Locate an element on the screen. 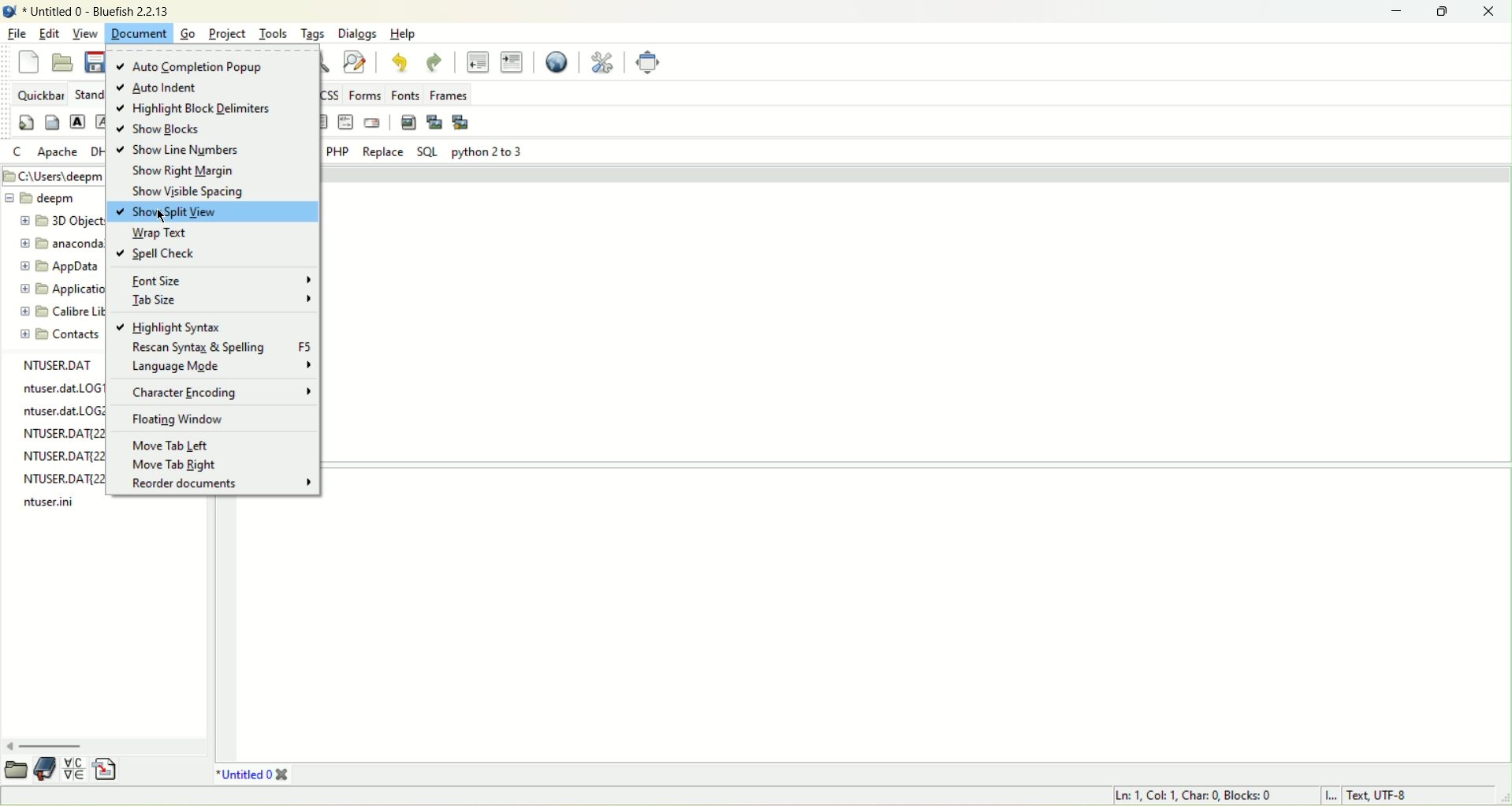 The image size is (1512, 806). auto completion popup is located at coordinates (200, 66).